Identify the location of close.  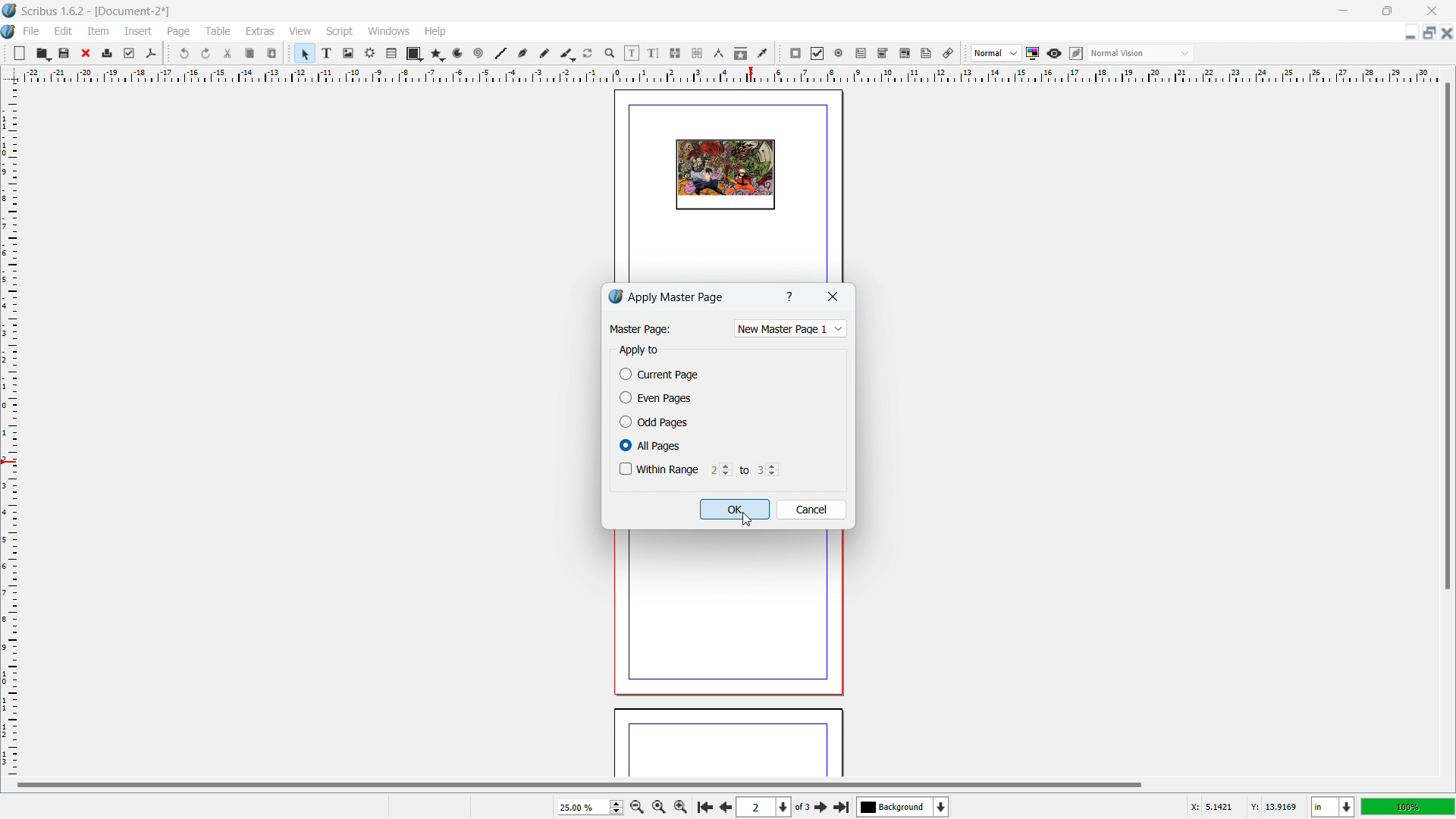
(832, 298).